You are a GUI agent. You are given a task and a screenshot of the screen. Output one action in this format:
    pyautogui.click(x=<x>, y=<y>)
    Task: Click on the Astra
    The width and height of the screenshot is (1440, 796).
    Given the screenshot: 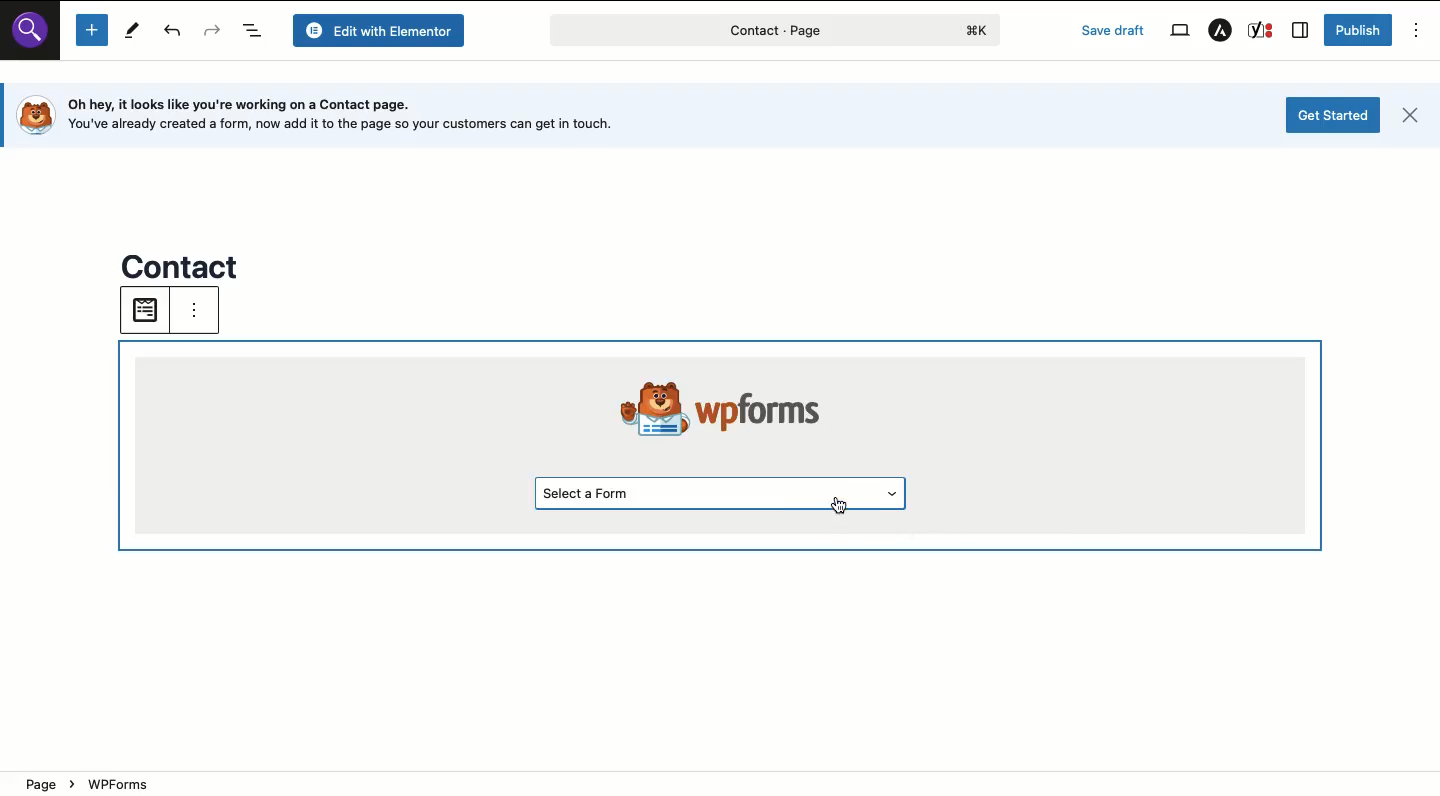 What is the action you would take?
    pyautogui.click(x=1219, y=31)
    